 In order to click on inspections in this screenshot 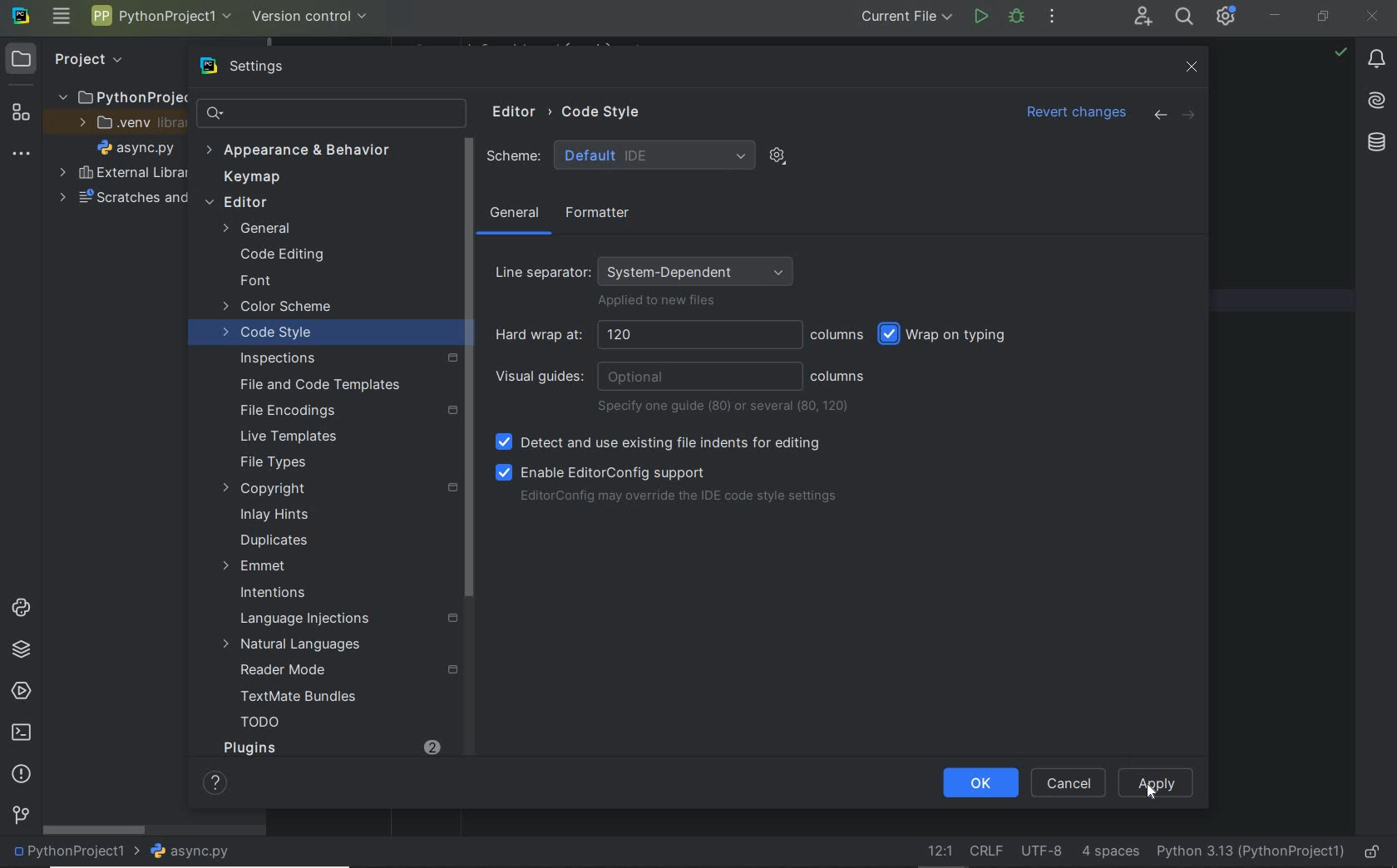, I will do `click(343, 359)`.